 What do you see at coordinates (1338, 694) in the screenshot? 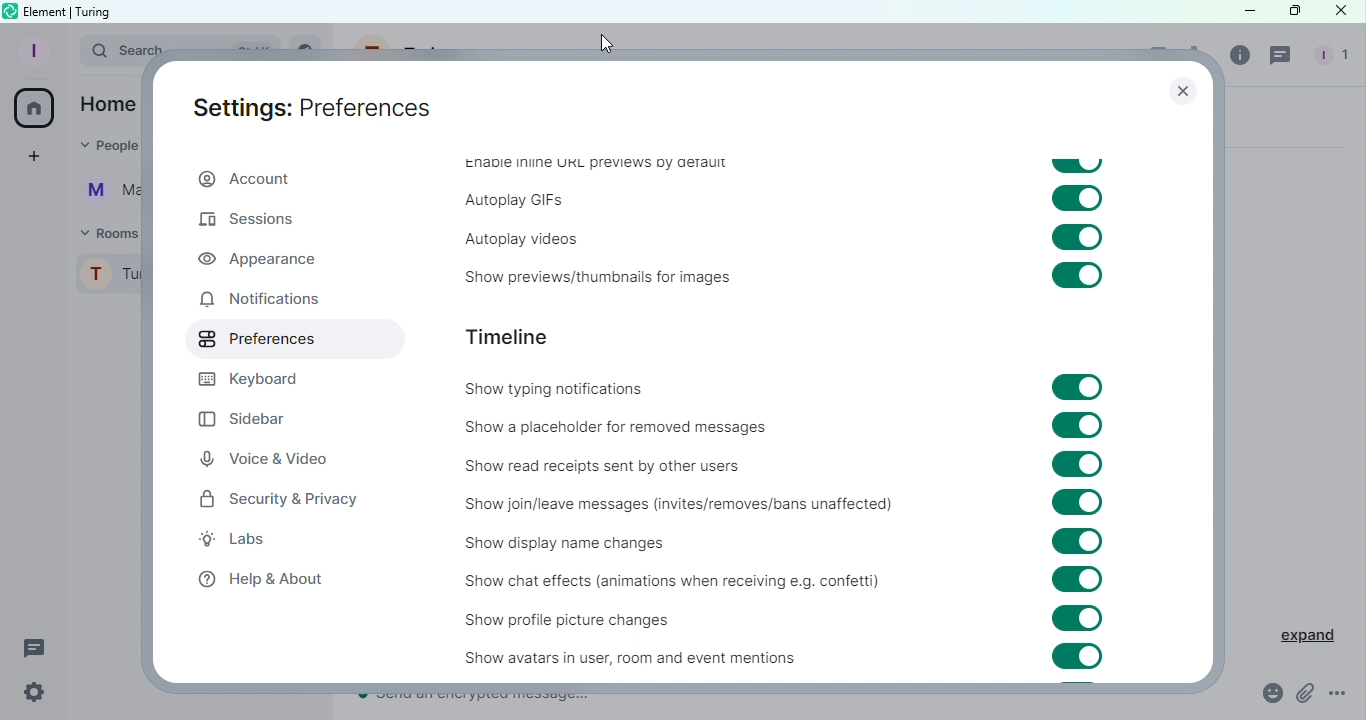
I see `More Options` at bounding box center [1338, 694].